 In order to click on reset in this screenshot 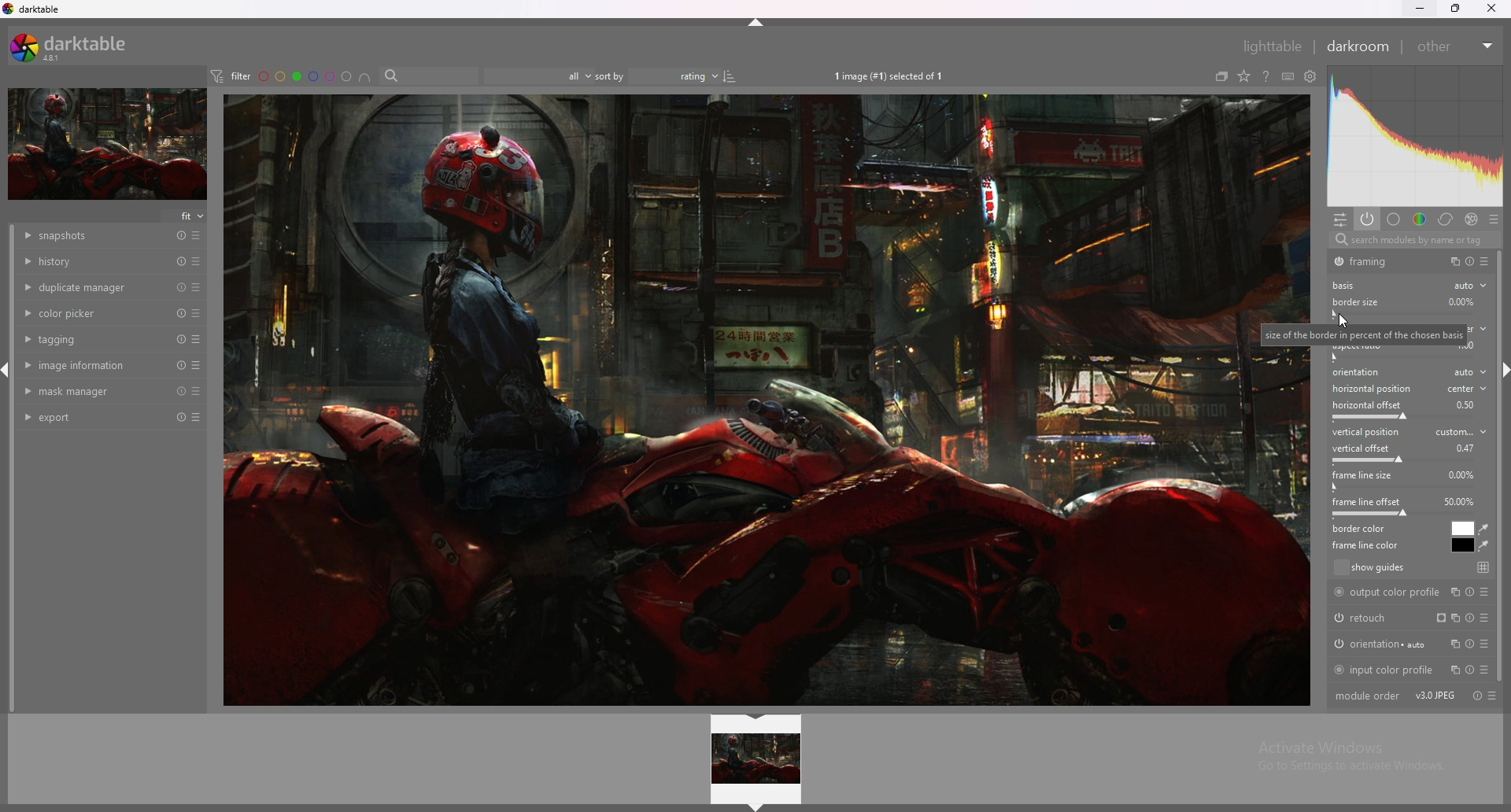, I will do `click(182, 366)`.